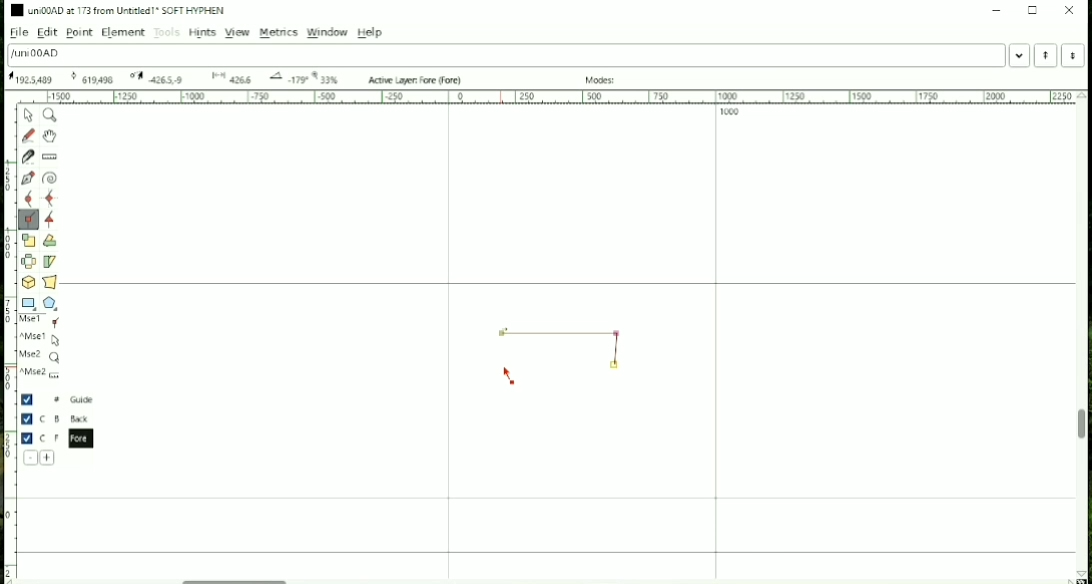 Image resolution: width=1092 pixels, height=584 pixels. I want to click on Next Word, so click(1076, 55).